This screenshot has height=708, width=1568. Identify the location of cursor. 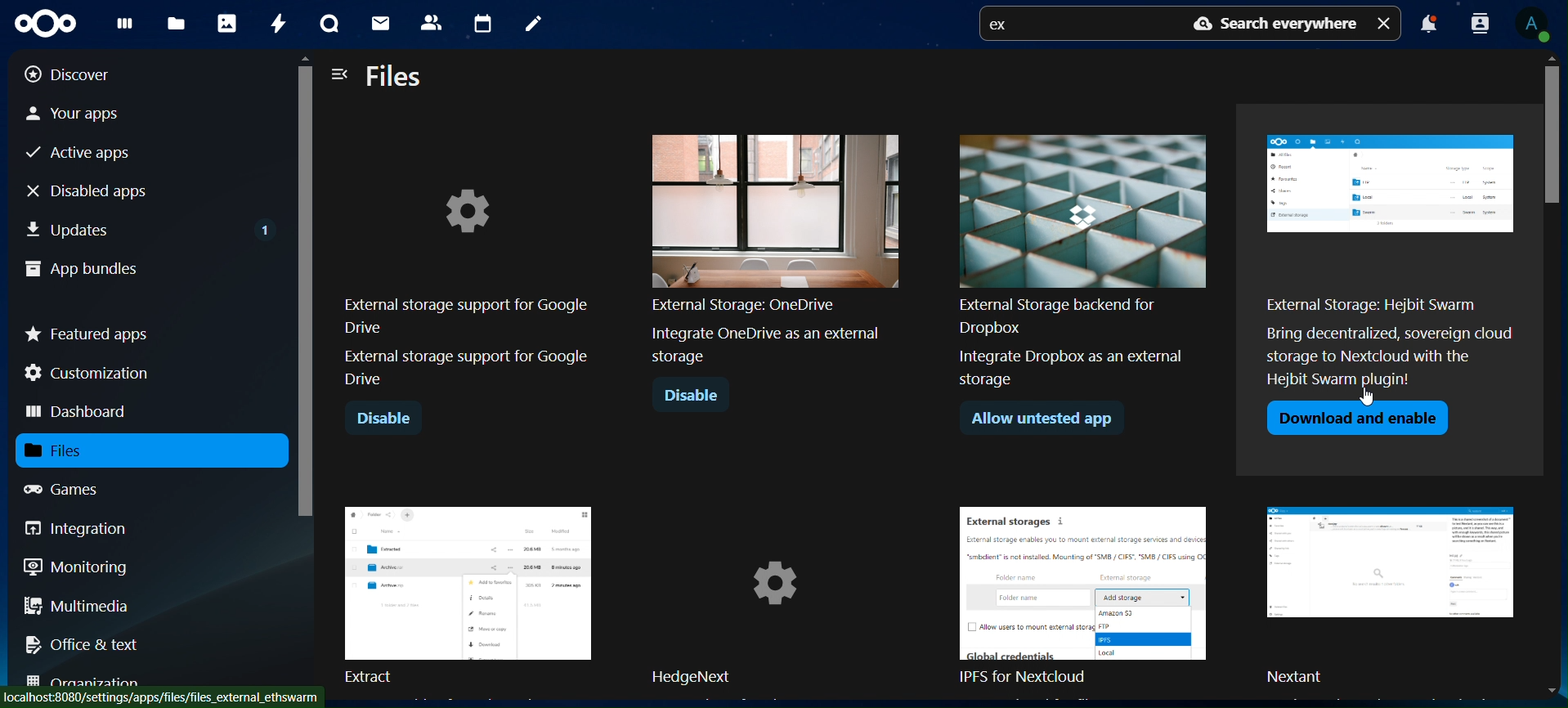
(1373, 398).